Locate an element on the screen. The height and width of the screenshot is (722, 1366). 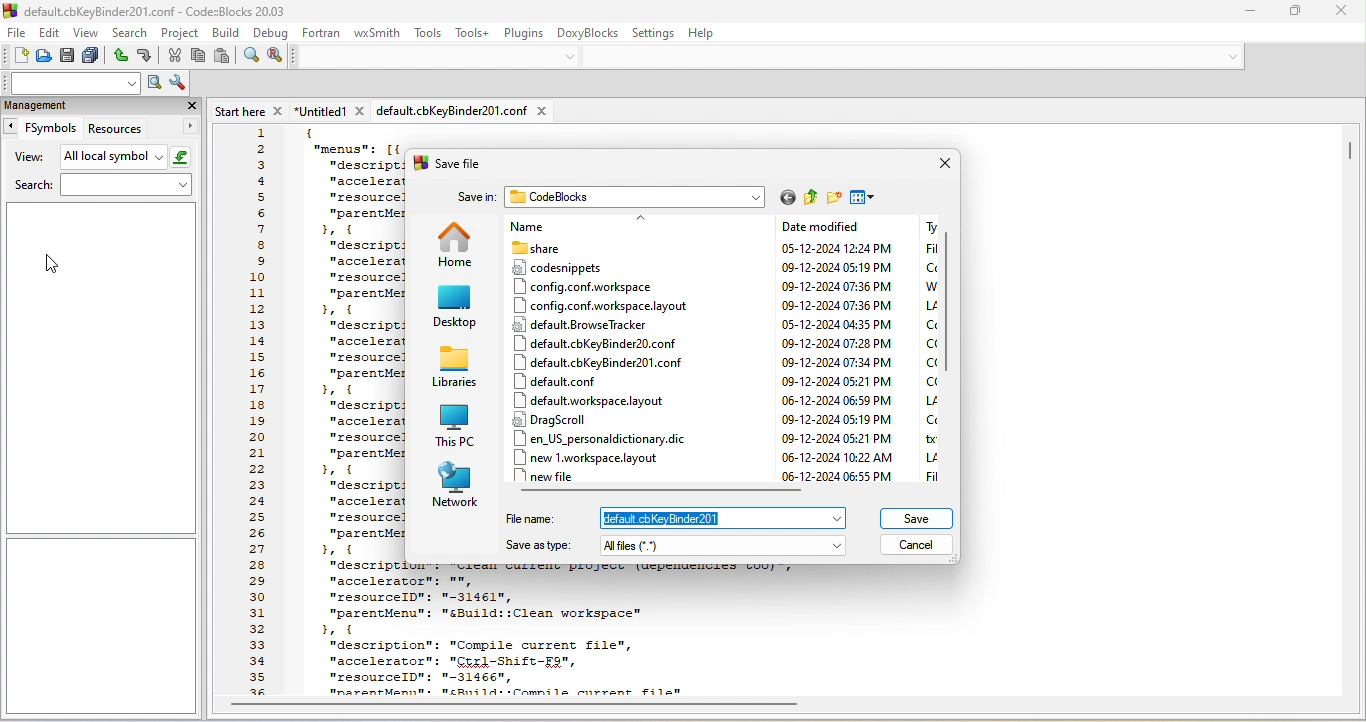
new file is located at coordinates (553, 476).